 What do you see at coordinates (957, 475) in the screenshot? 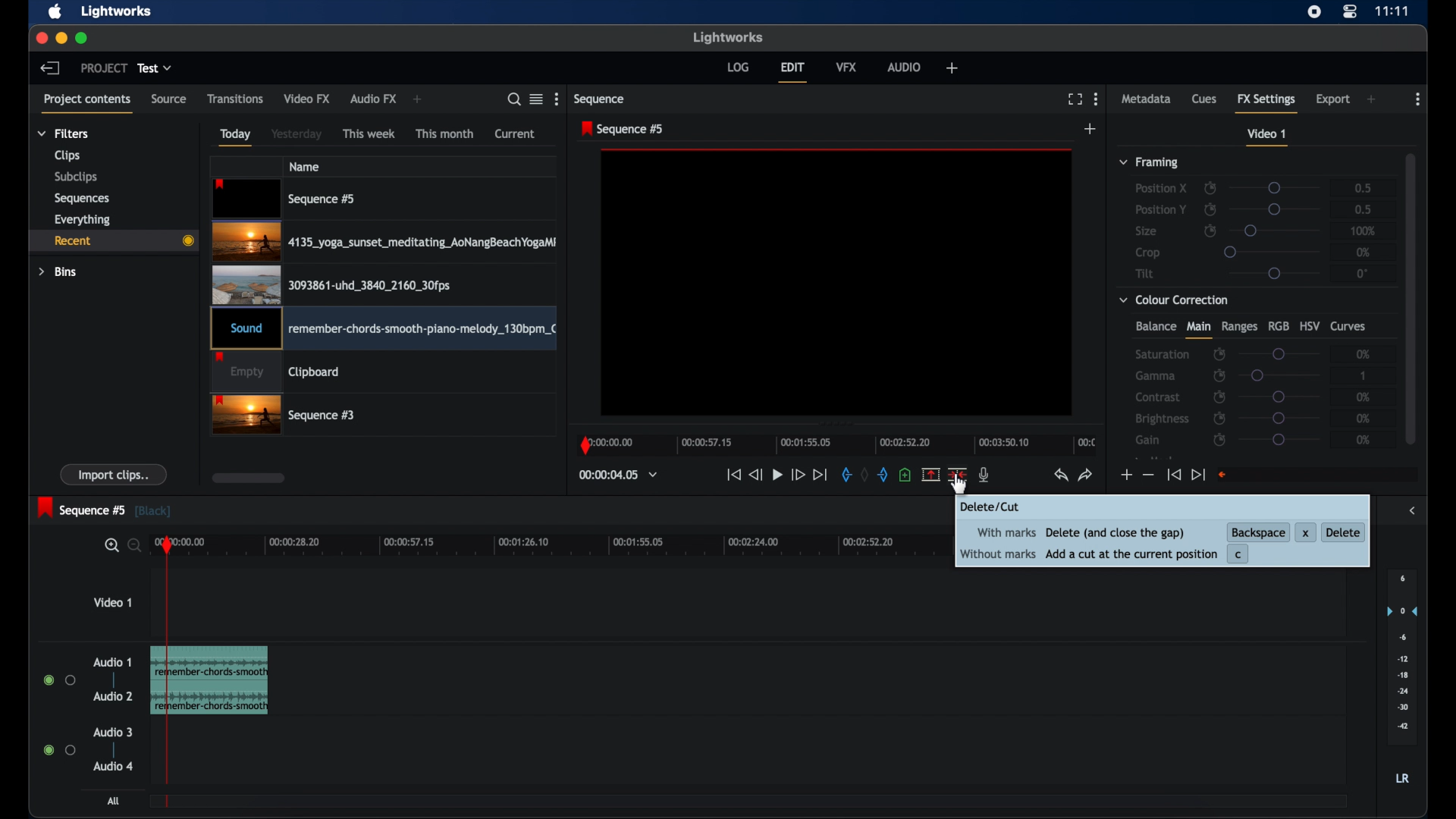
I see `split` at bounding box center [957, 475].